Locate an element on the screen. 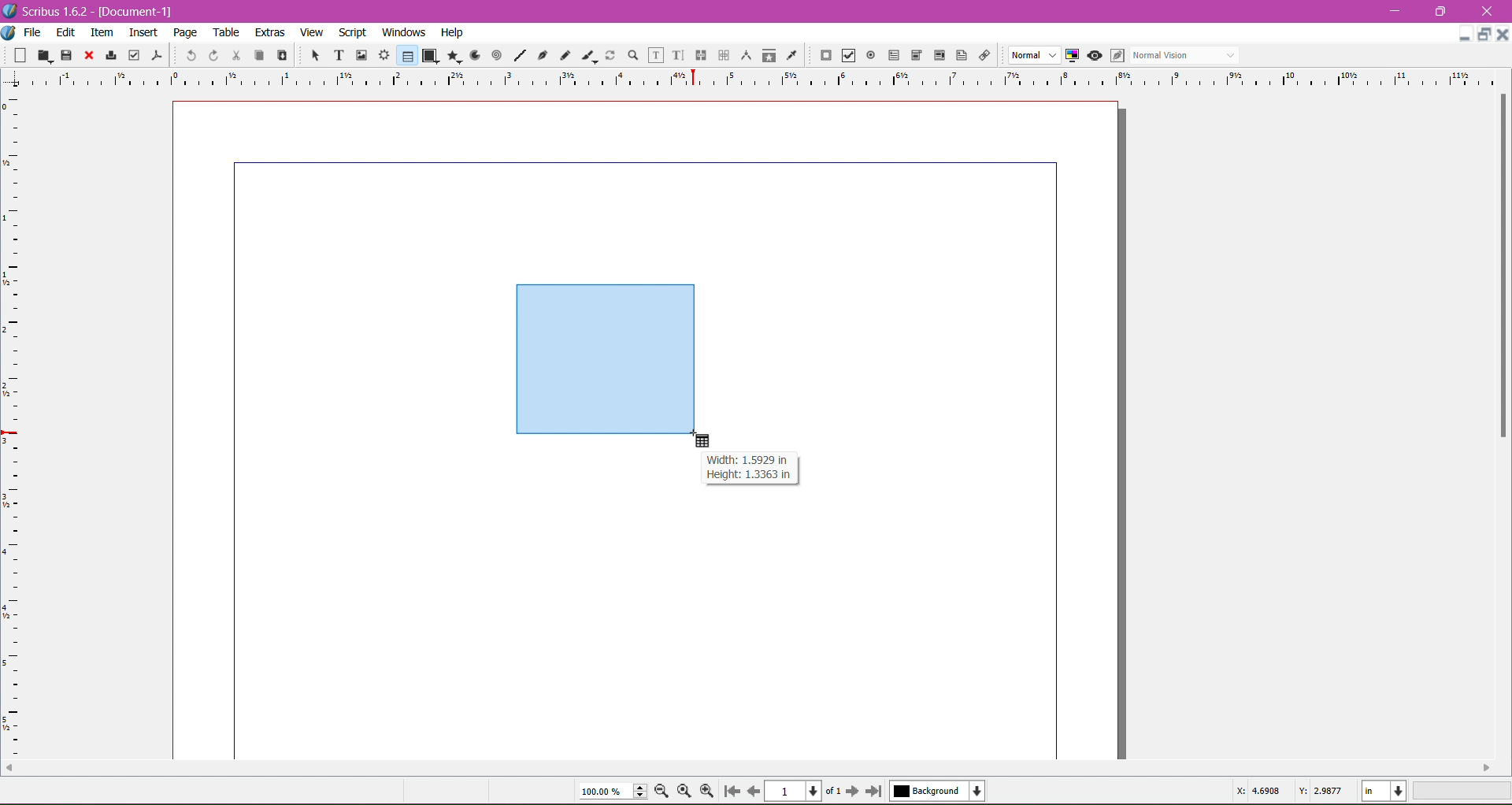 This screenshot has height=805, width=1512. Freehand Line is located at coordinates (565, 56).